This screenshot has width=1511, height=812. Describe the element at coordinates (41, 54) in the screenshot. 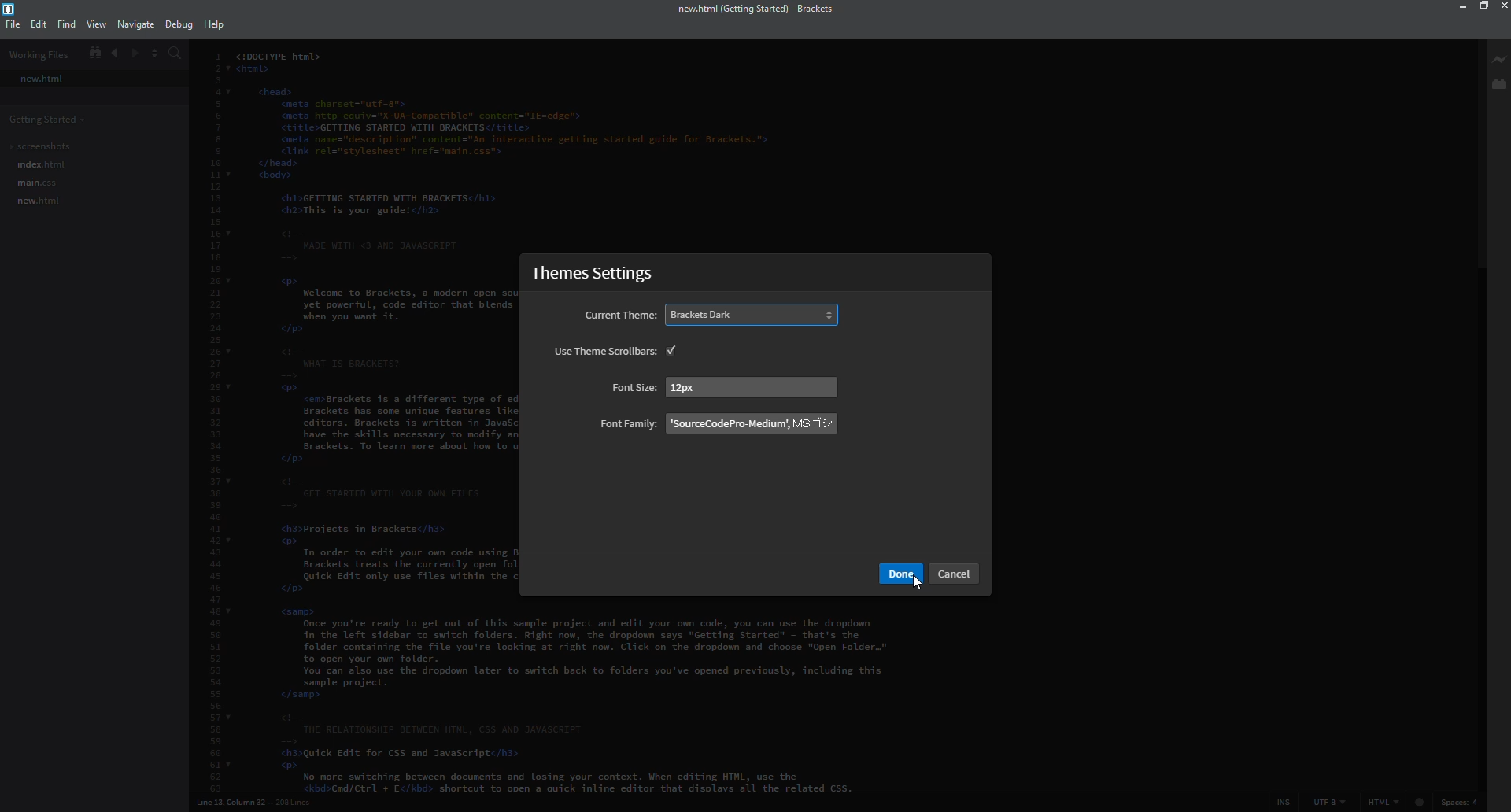

I see `working files` at that location.